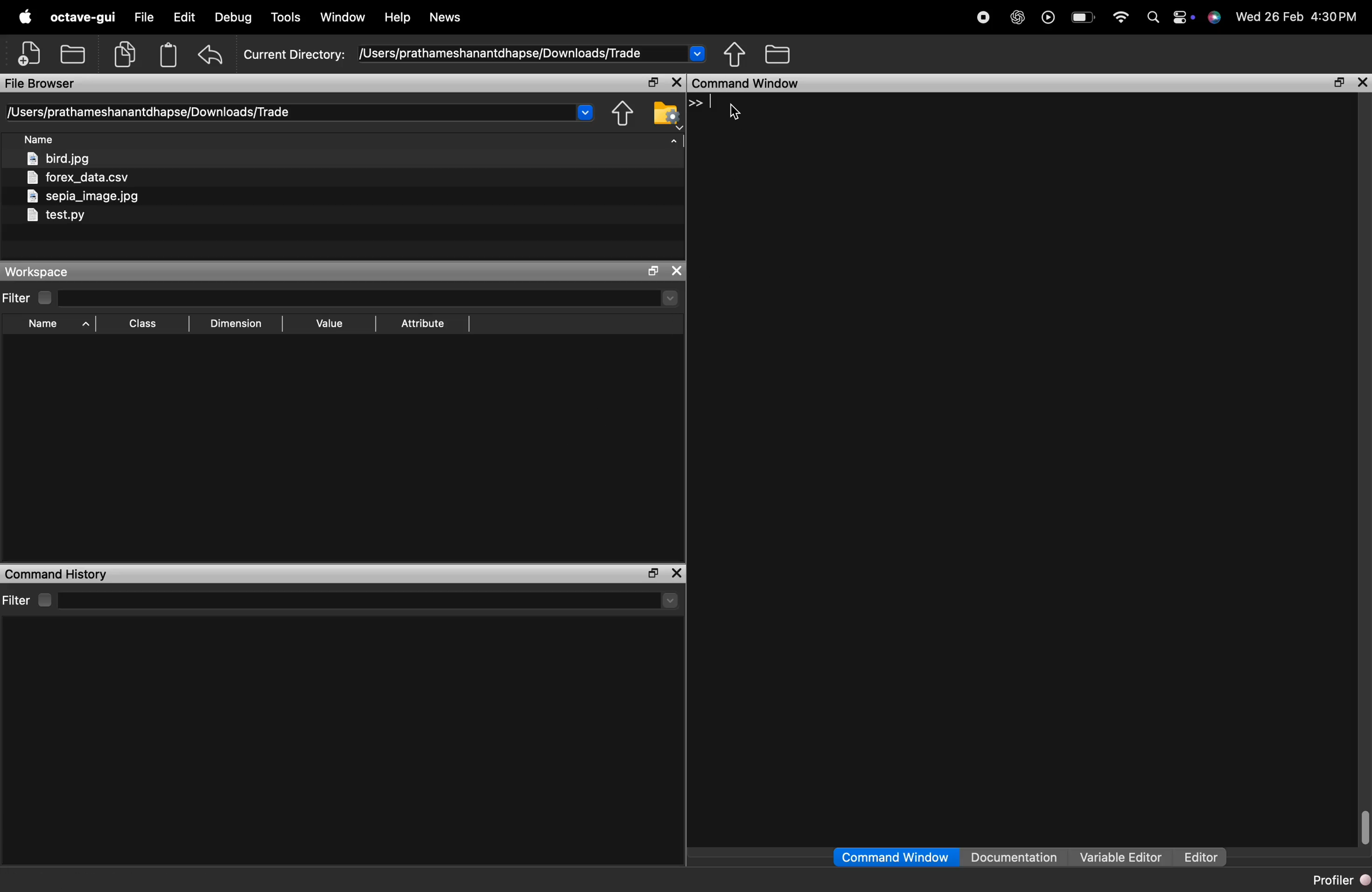 The height and width of the screenshot is (892, 1372). Describe the element at coordinates (1083, 17) in the screenshot. I see `battery` at that location.